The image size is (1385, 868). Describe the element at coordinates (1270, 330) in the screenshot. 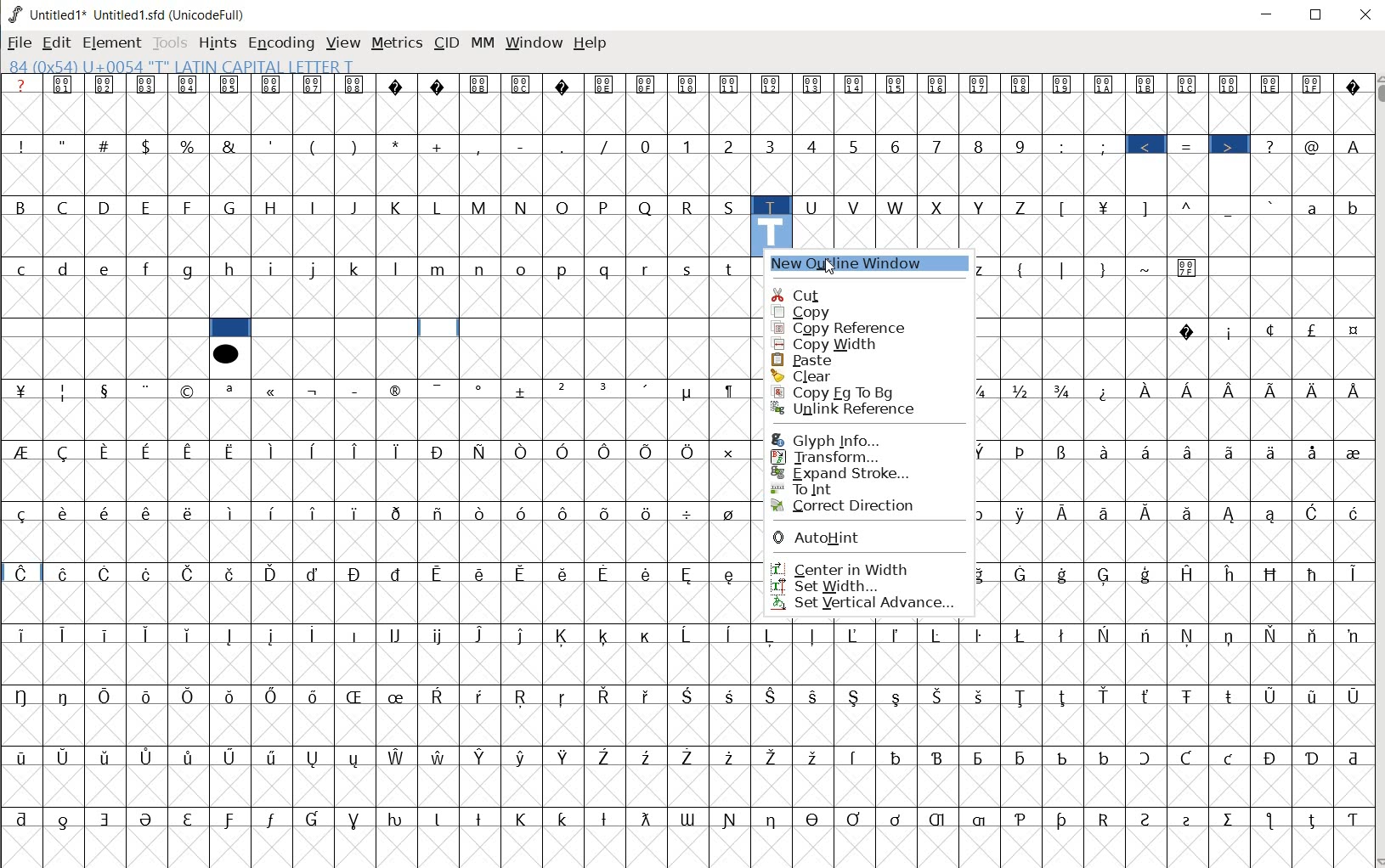

I see `Symbol` at that location.